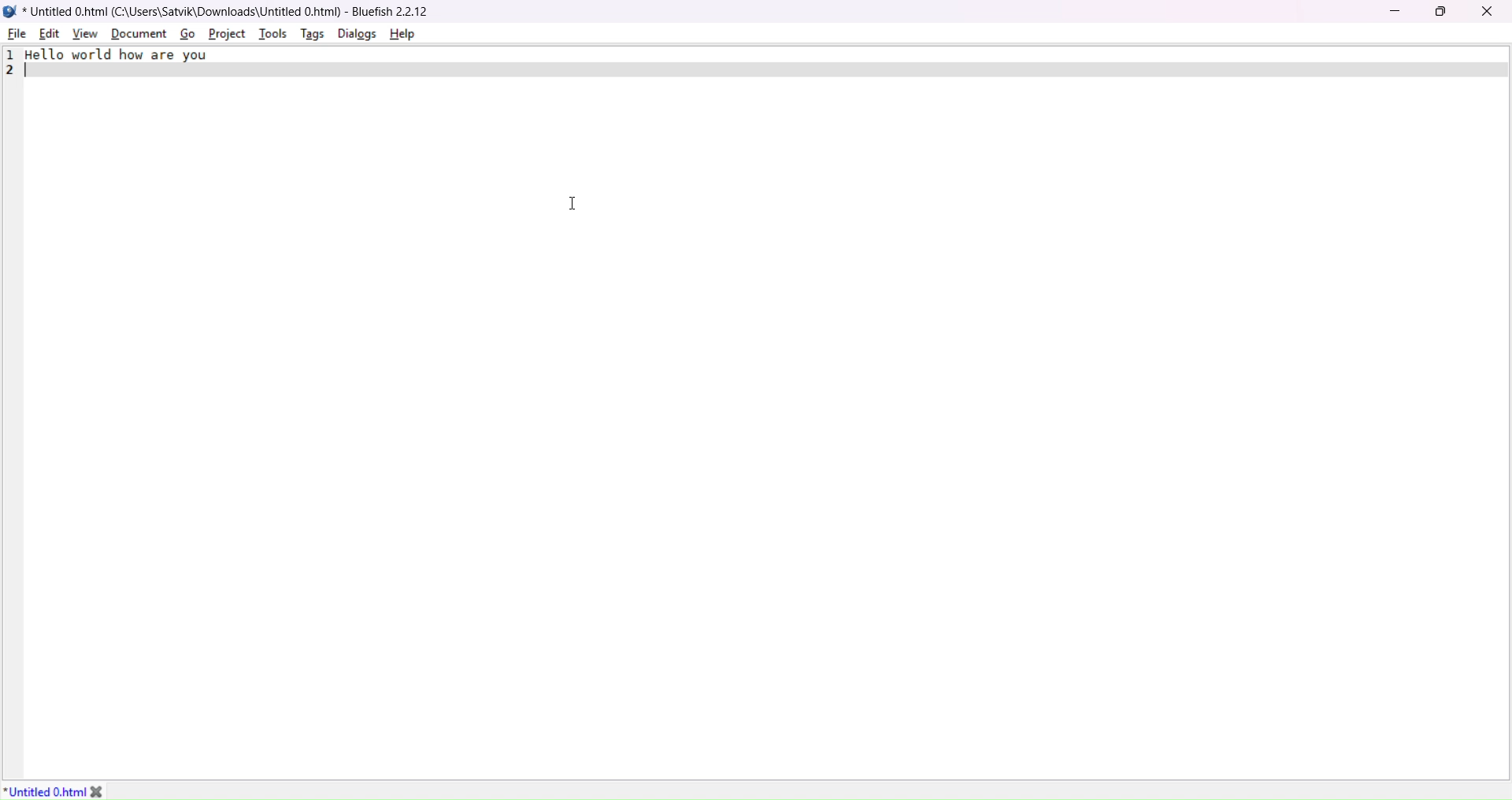  Describe the element at coordinates (1487, 12) in the screenshot. I see `close` at that location.